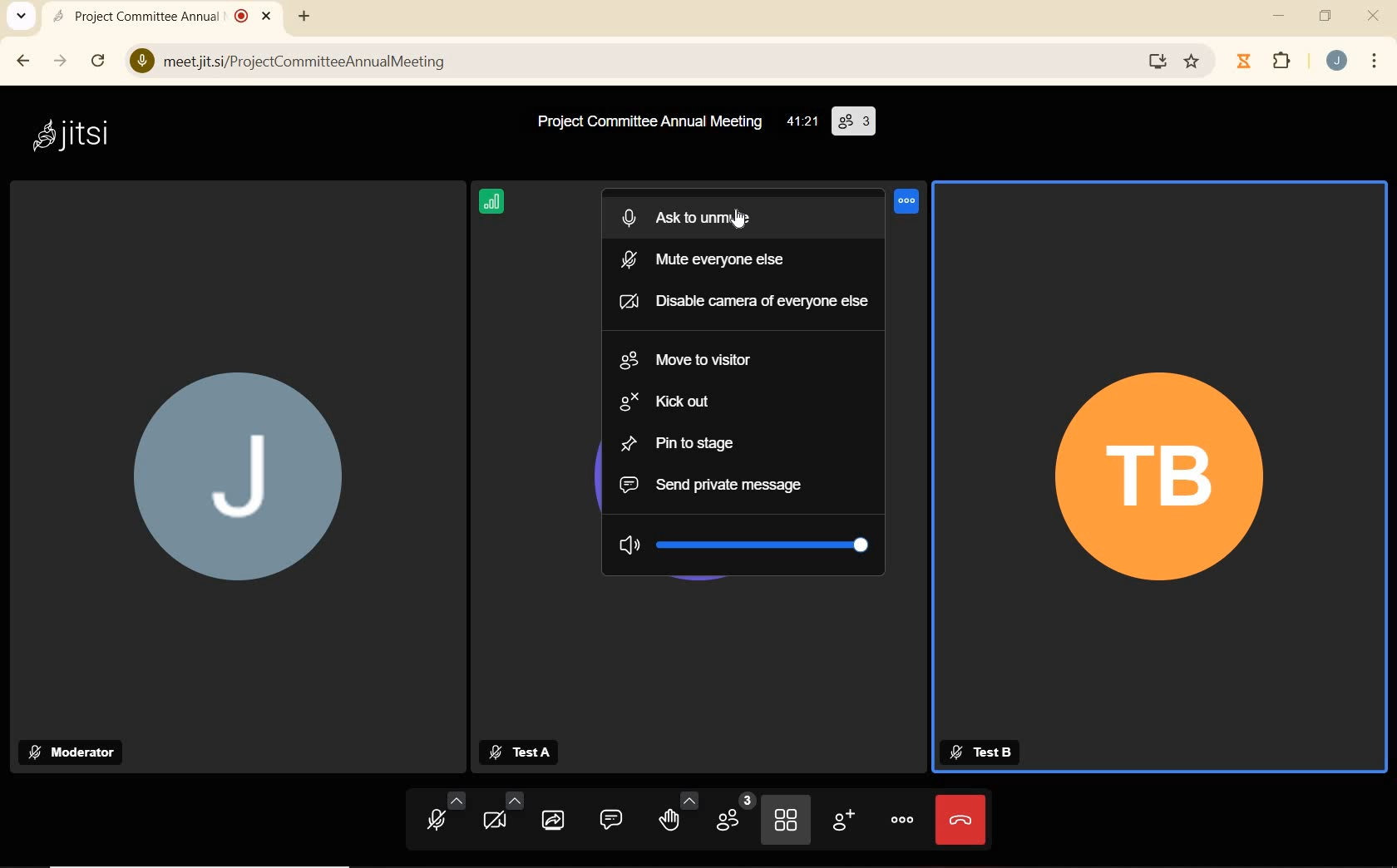 This screenshot has width=1397, height=868. What do you see at coordinates (493, 204) in the screenshot?
I see `CONNECTION STATUS` at bounding box center [493, 204].